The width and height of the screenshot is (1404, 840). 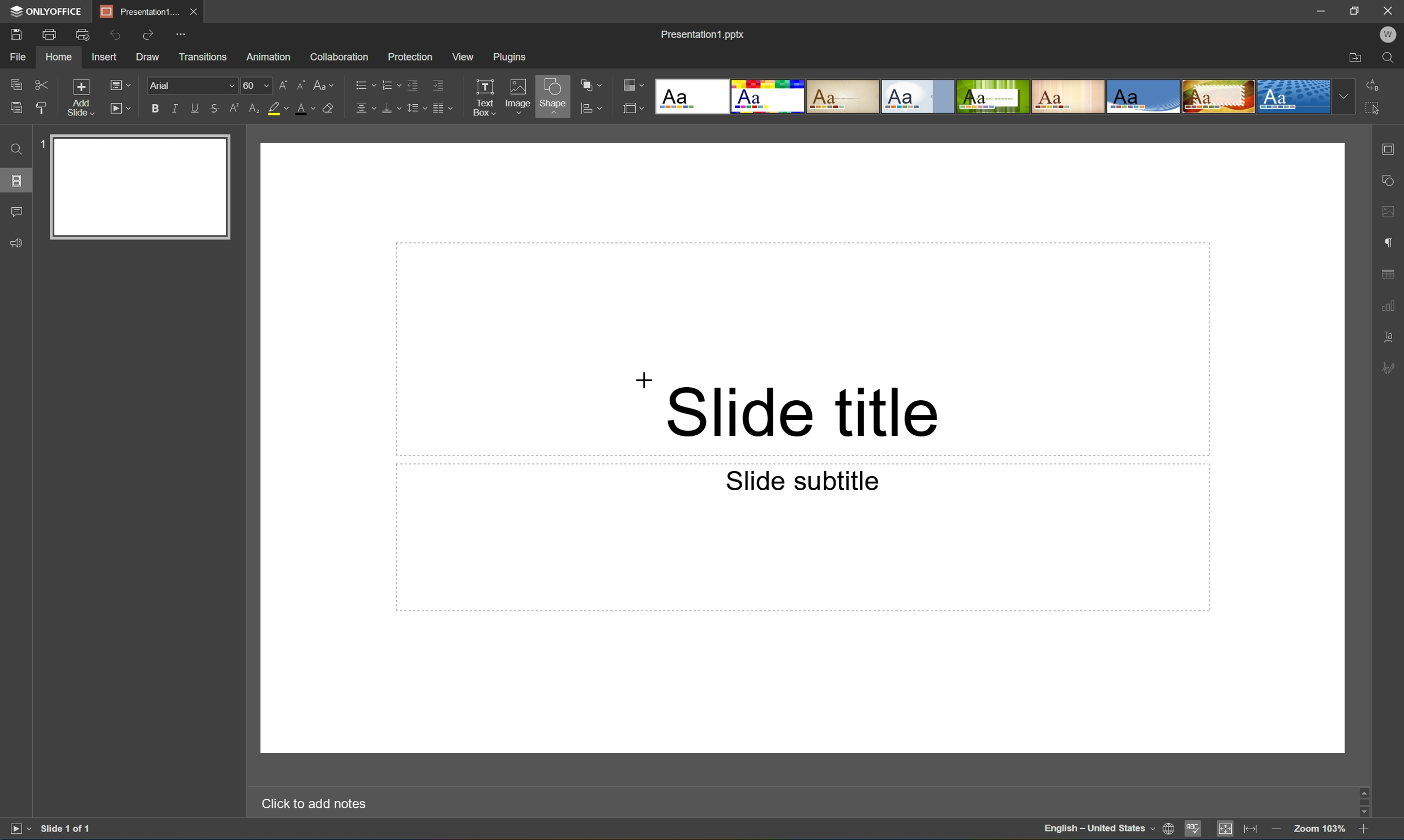 I want to click on Change color theme, so click(x=633, y=85).